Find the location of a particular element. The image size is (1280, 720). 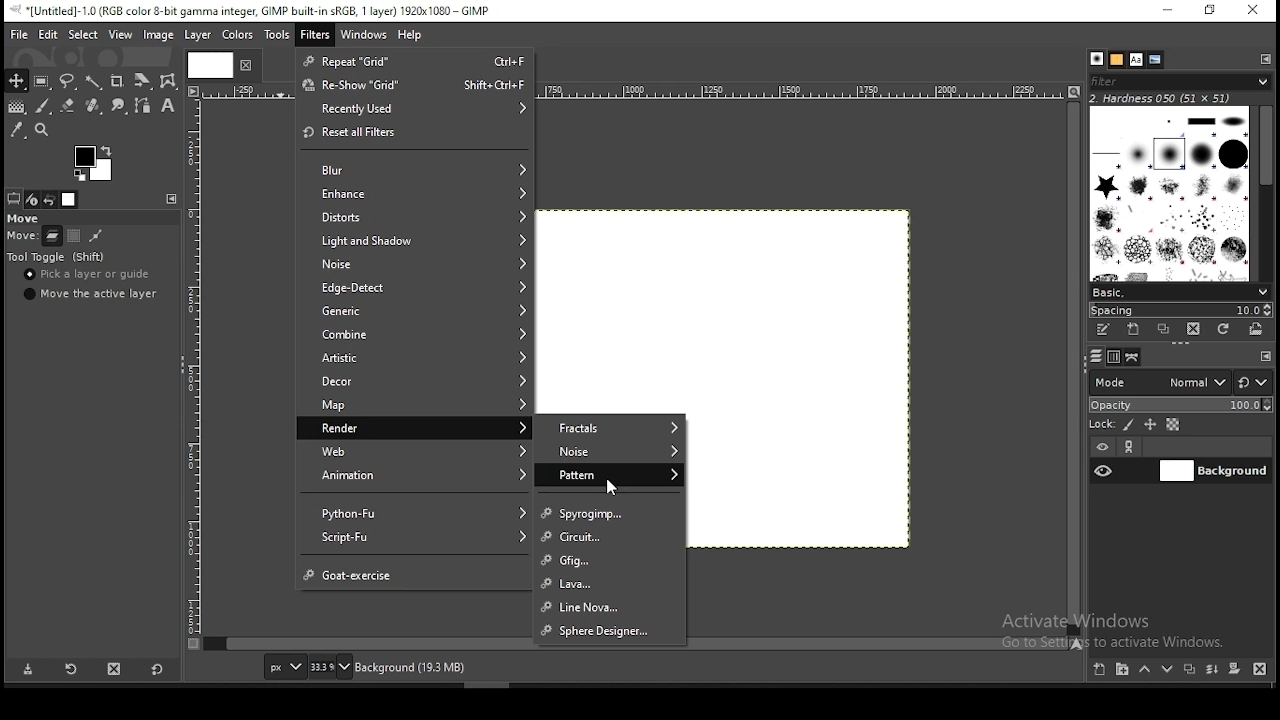

reset all filters is located at coordinates (415, 134).